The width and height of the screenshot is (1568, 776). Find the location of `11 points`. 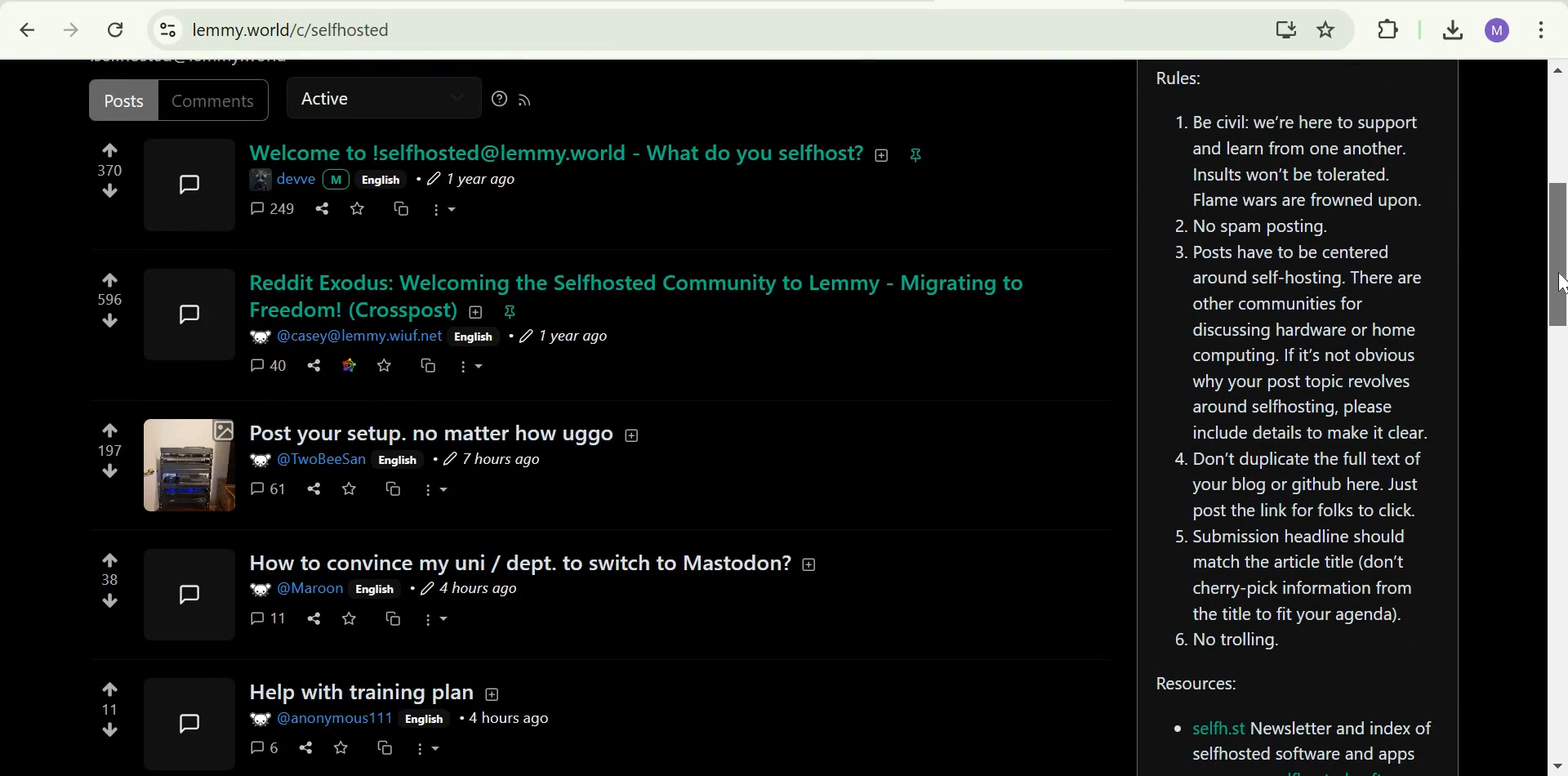

11 points is located at coordinates (110, 709).